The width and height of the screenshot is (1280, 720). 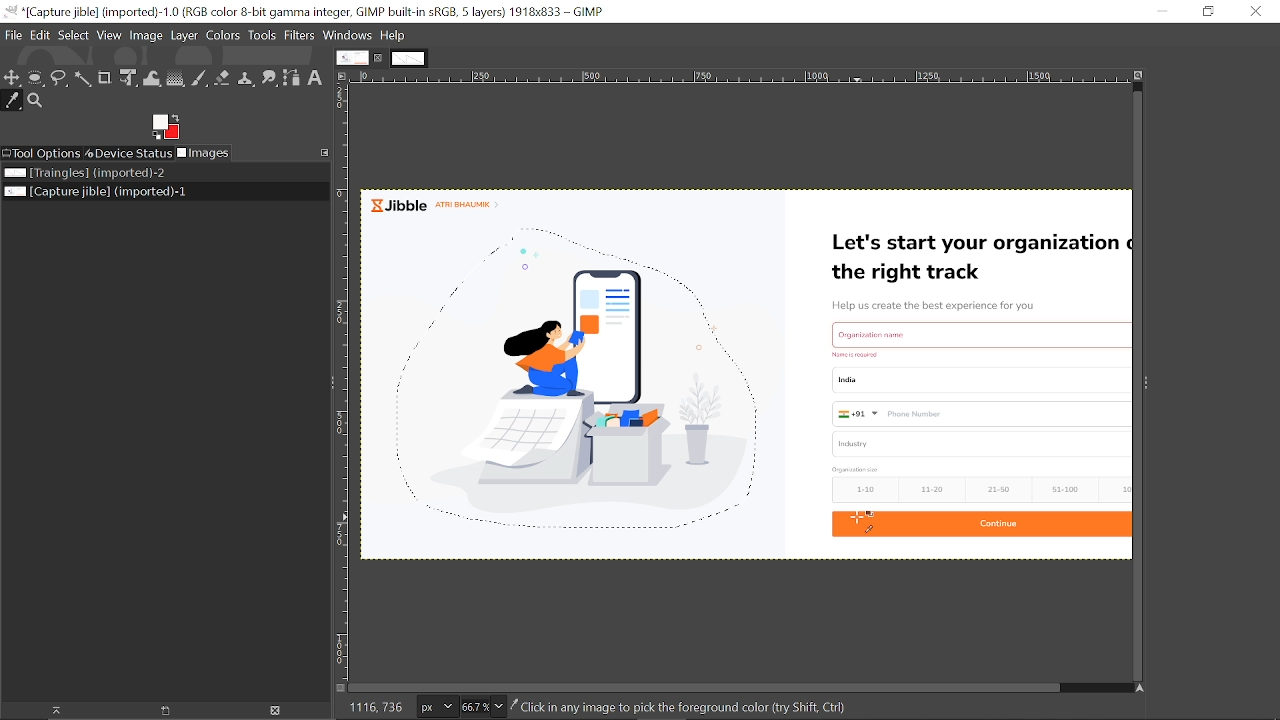 What do you see at coordinates (1160, 12) in the screenshot?
I see `Minimize` at bounding box center [1160, 12].